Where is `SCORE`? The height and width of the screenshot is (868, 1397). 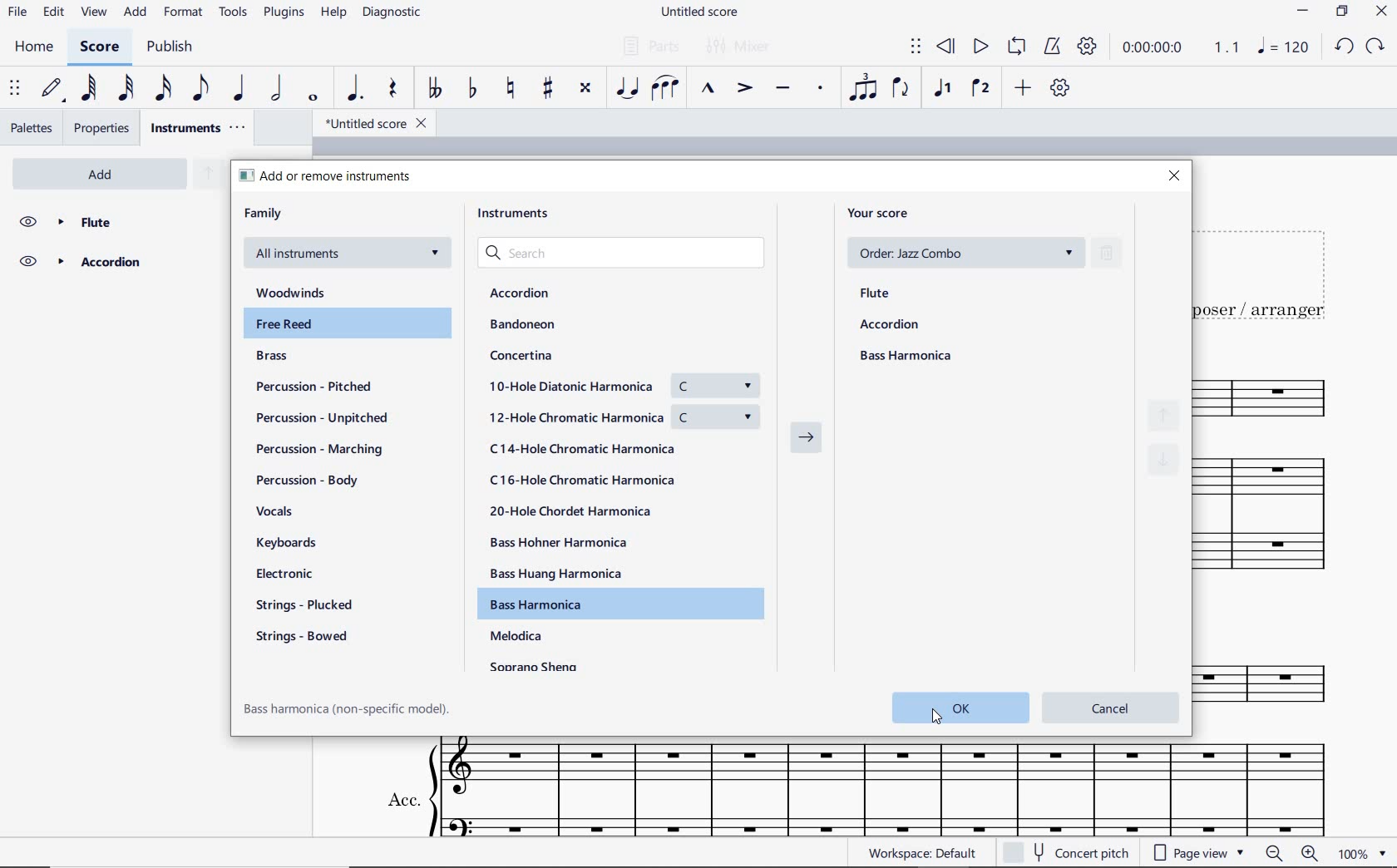 SCORE is located at coordinates (96, 49).